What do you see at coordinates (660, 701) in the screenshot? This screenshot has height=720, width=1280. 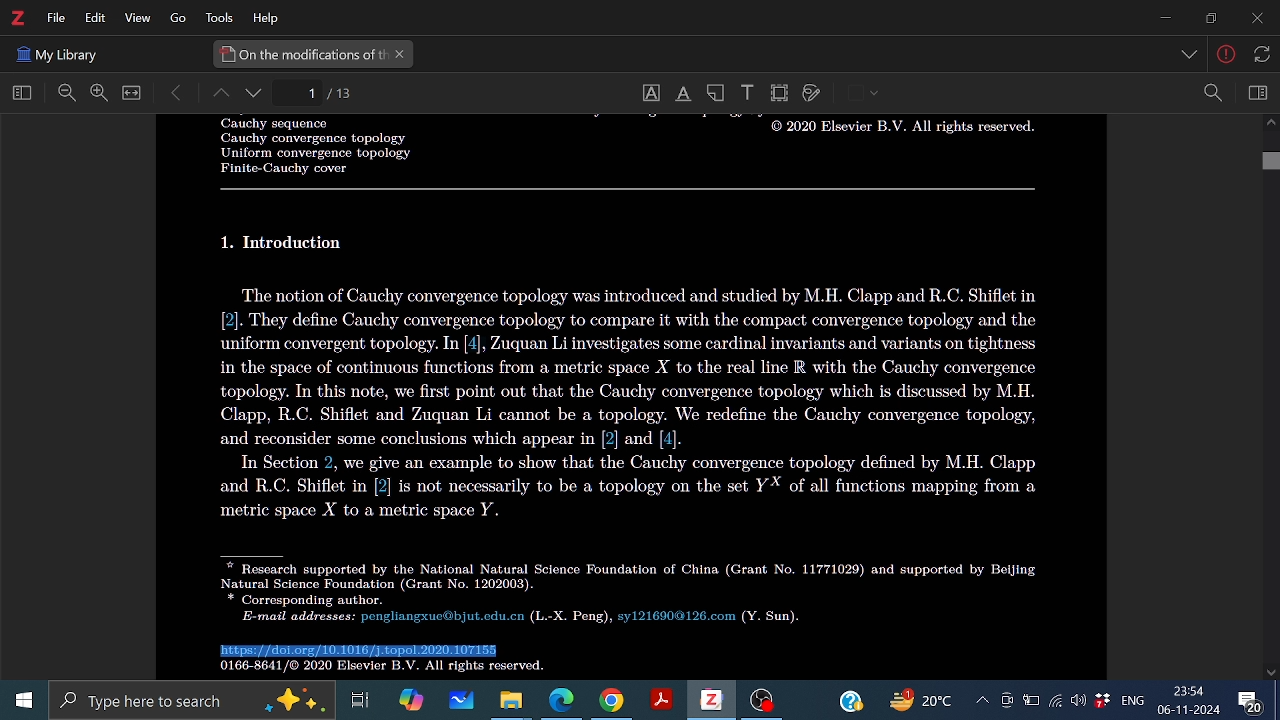 I see `Adobe reader` at bounding box center [660, 701].